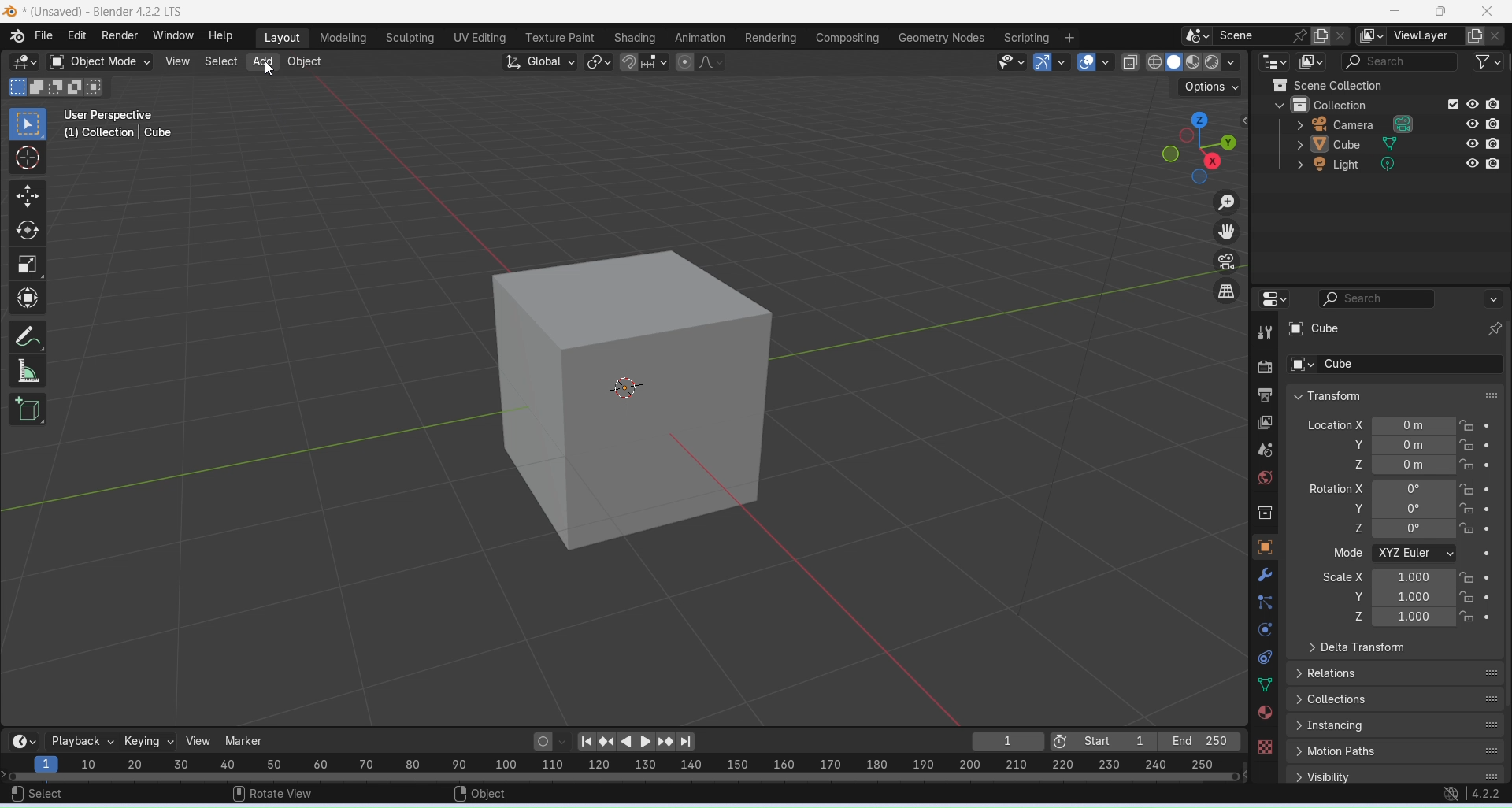 The image size is (1512, 808). Describe the element at coordinates (1388, 104) in the screenshot. I see `Collection layer` at that location.